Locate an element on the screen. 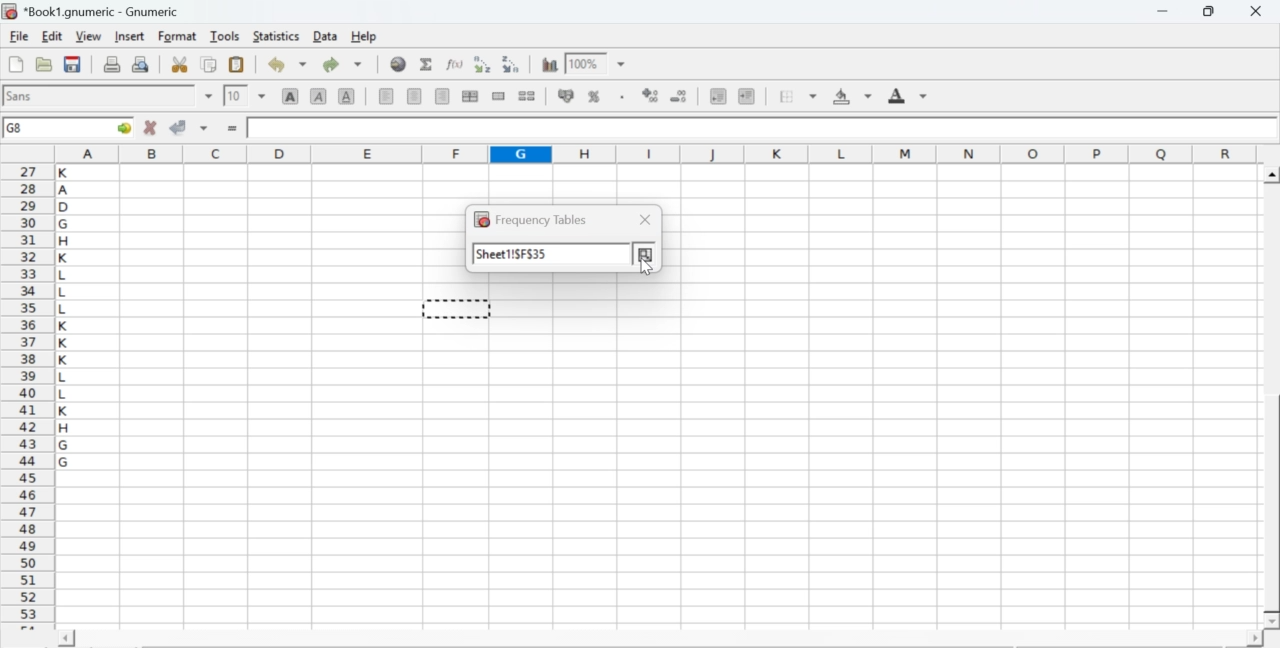 The image size is (1280, 648). center horizontally is located at coordinates (470, 96).